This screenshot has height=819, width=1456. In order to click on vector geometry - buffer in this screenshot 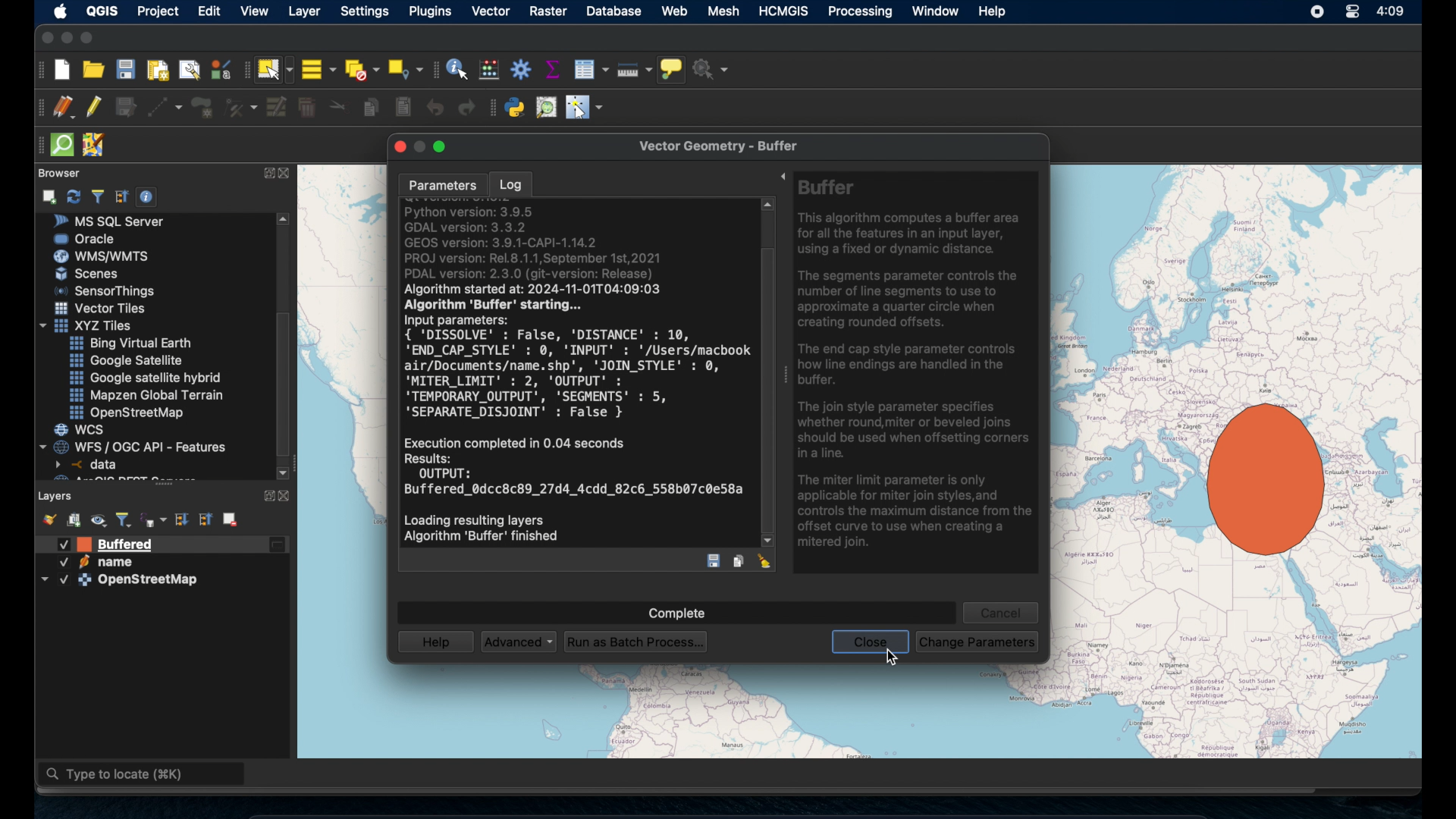, I will do `click(726, 146)`.